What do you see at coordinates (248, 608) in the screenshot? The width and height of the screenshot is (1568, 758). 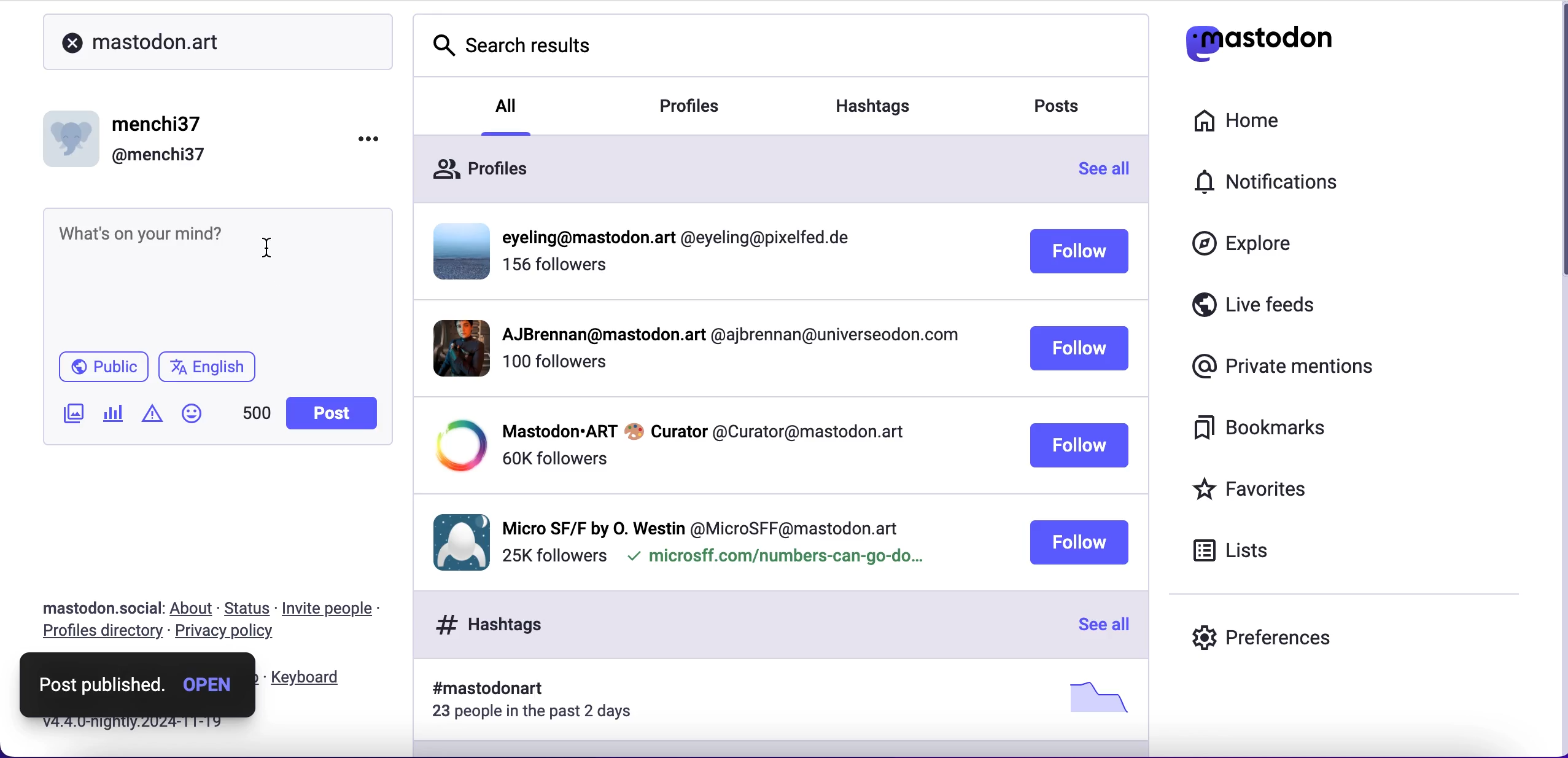 I see `status` at bounding box center [248, 608].